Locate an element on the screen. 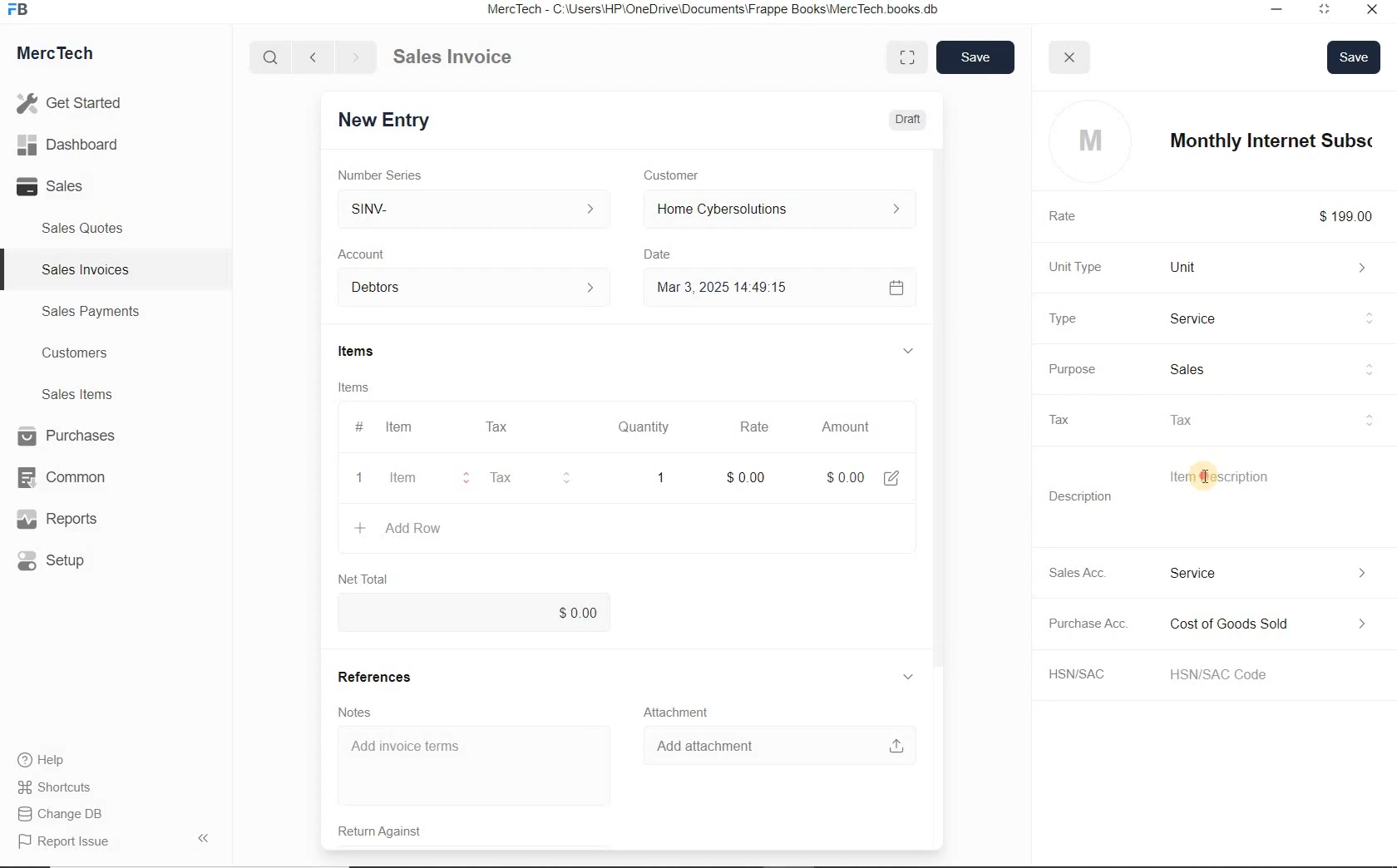  Tax is located at coordinates (518, 478).